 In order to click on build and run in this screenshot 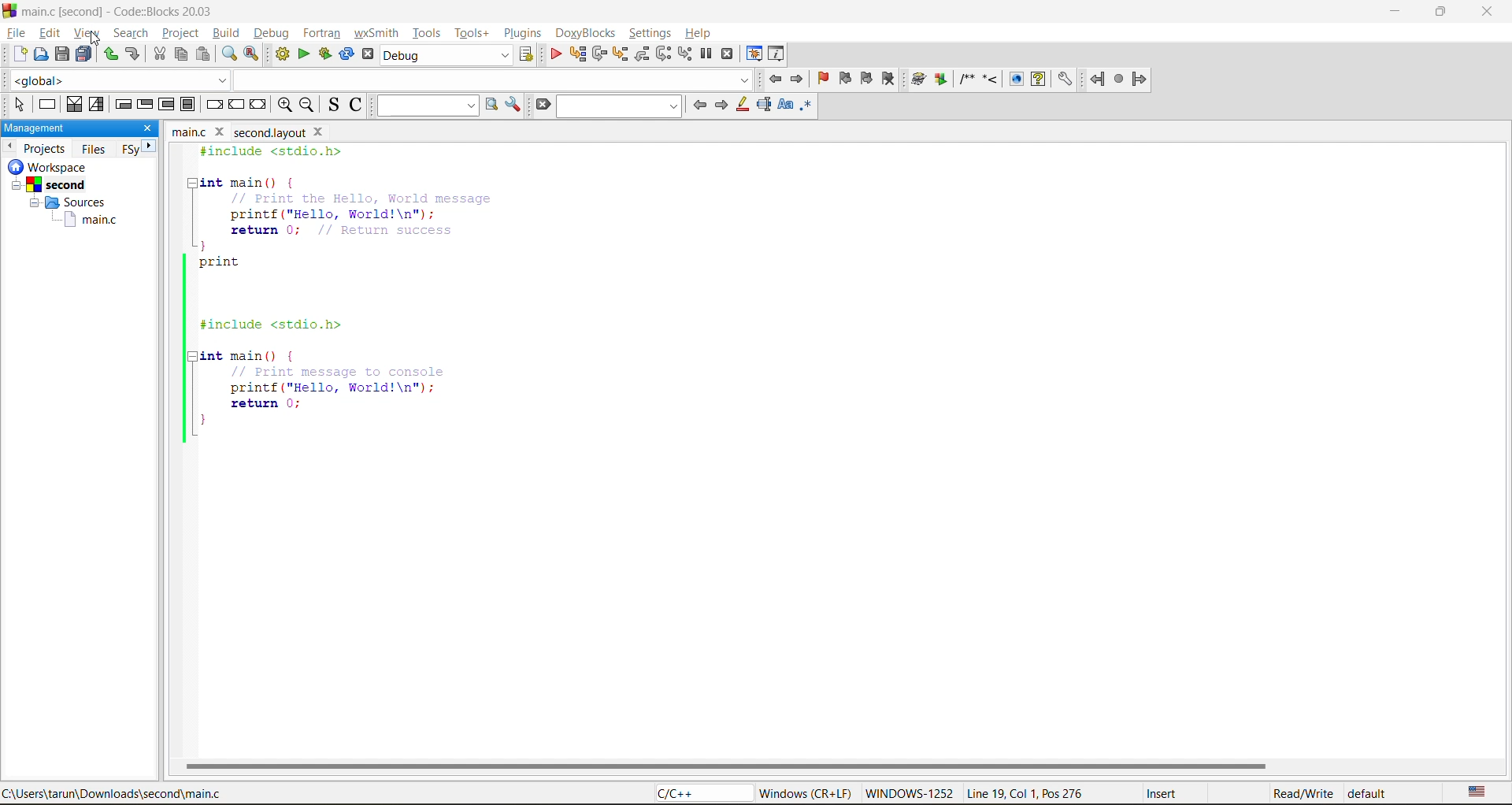, I will do `click(327, 54)`.